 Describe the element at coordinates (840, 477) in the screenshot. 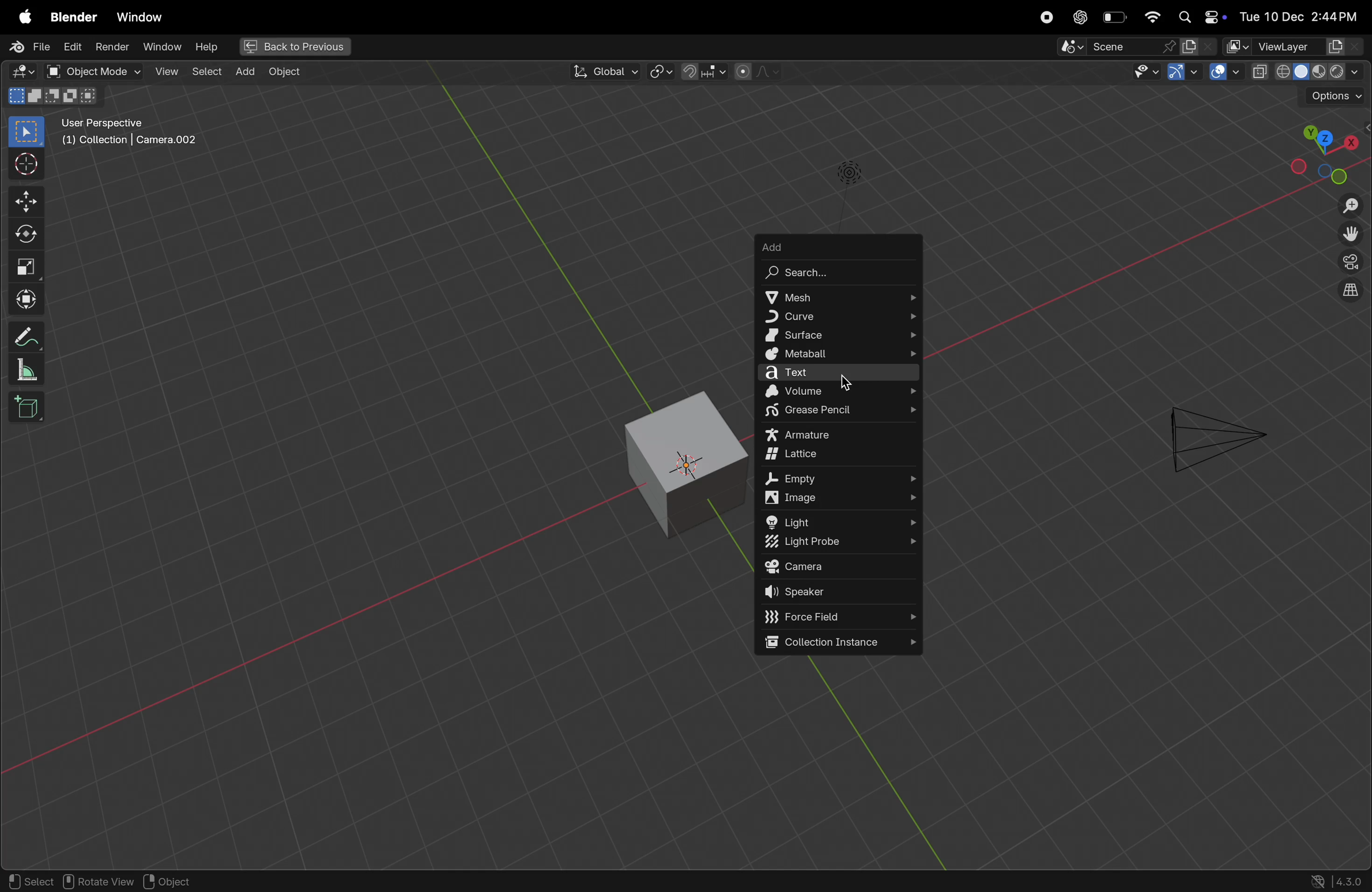

I see `Empty` at that location.